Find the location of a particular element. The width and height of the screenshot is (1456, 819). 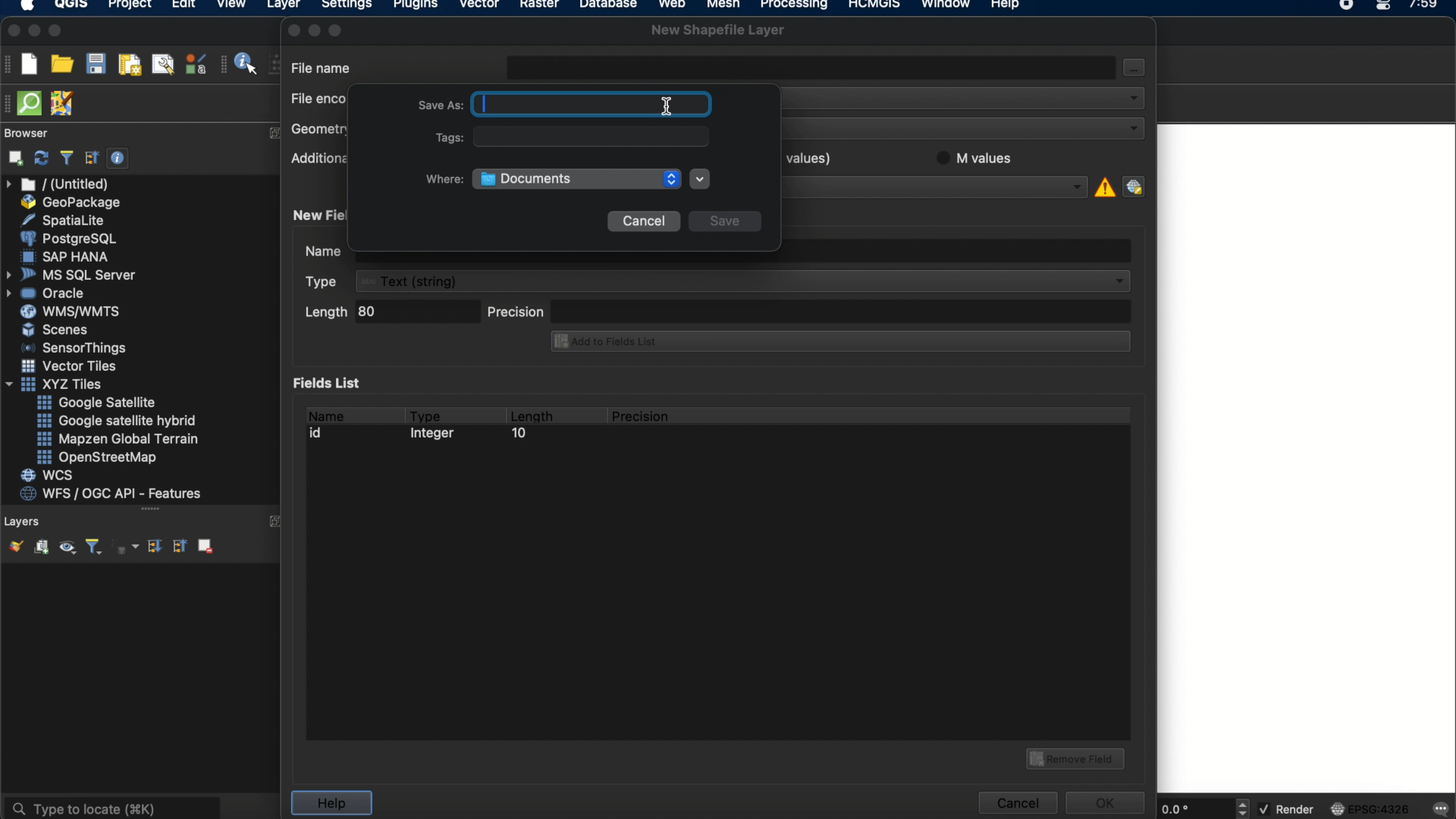

layer is located at coordinates (284, 8).